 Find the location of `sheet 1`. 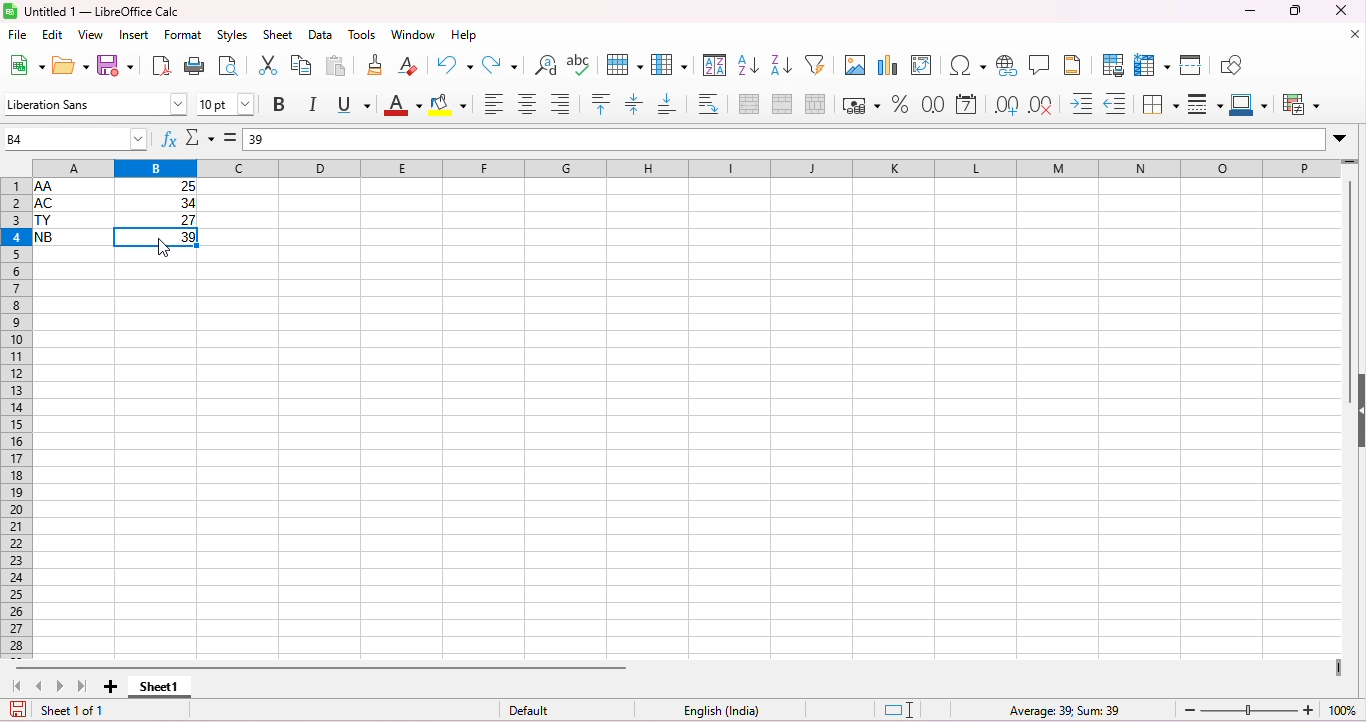

sheet 1 is located at coordinates (163, 689).